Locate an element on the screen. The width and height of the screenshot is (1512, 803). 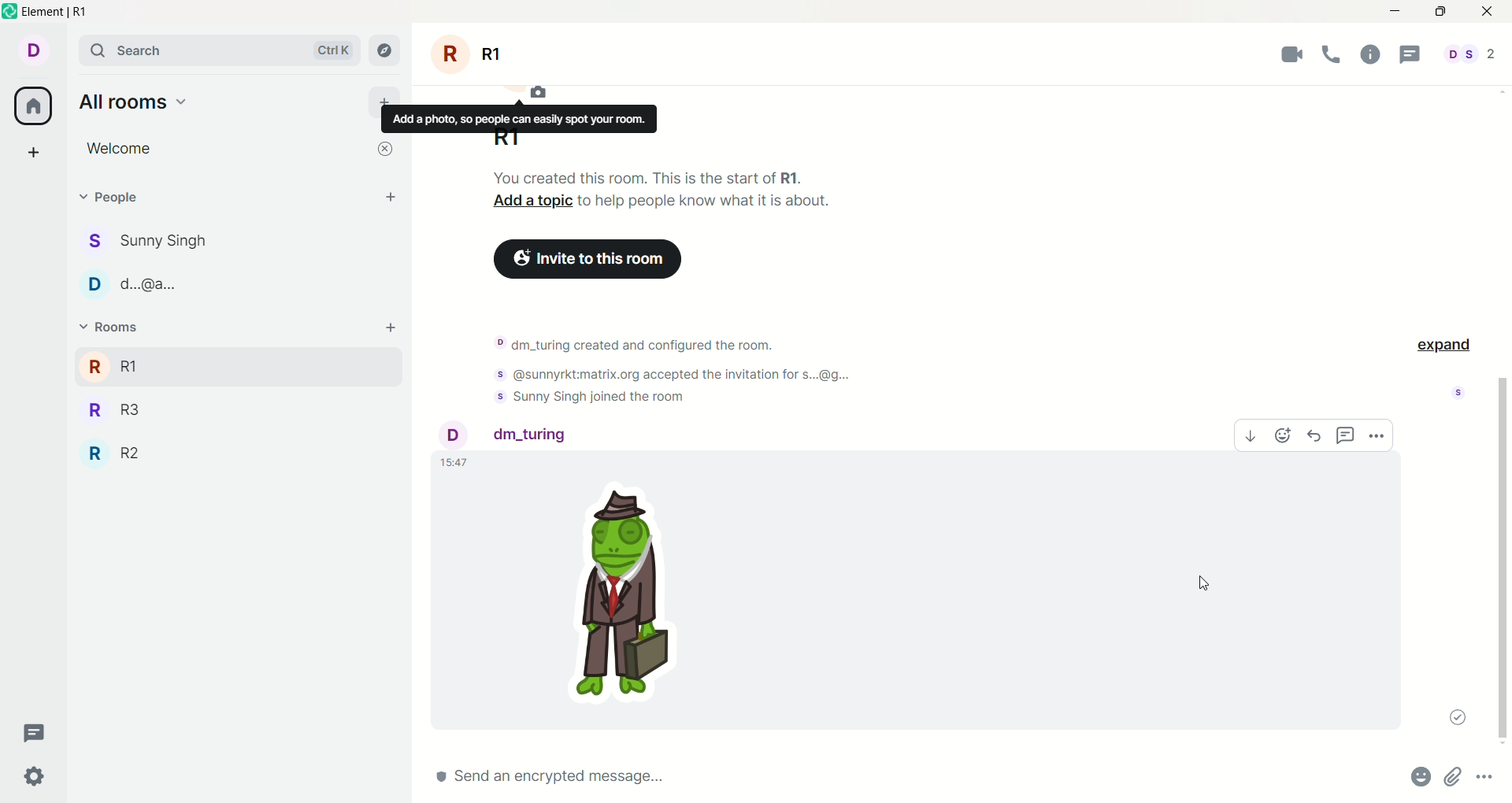
vertical scroll bar is located at coordinates (1501, 563).